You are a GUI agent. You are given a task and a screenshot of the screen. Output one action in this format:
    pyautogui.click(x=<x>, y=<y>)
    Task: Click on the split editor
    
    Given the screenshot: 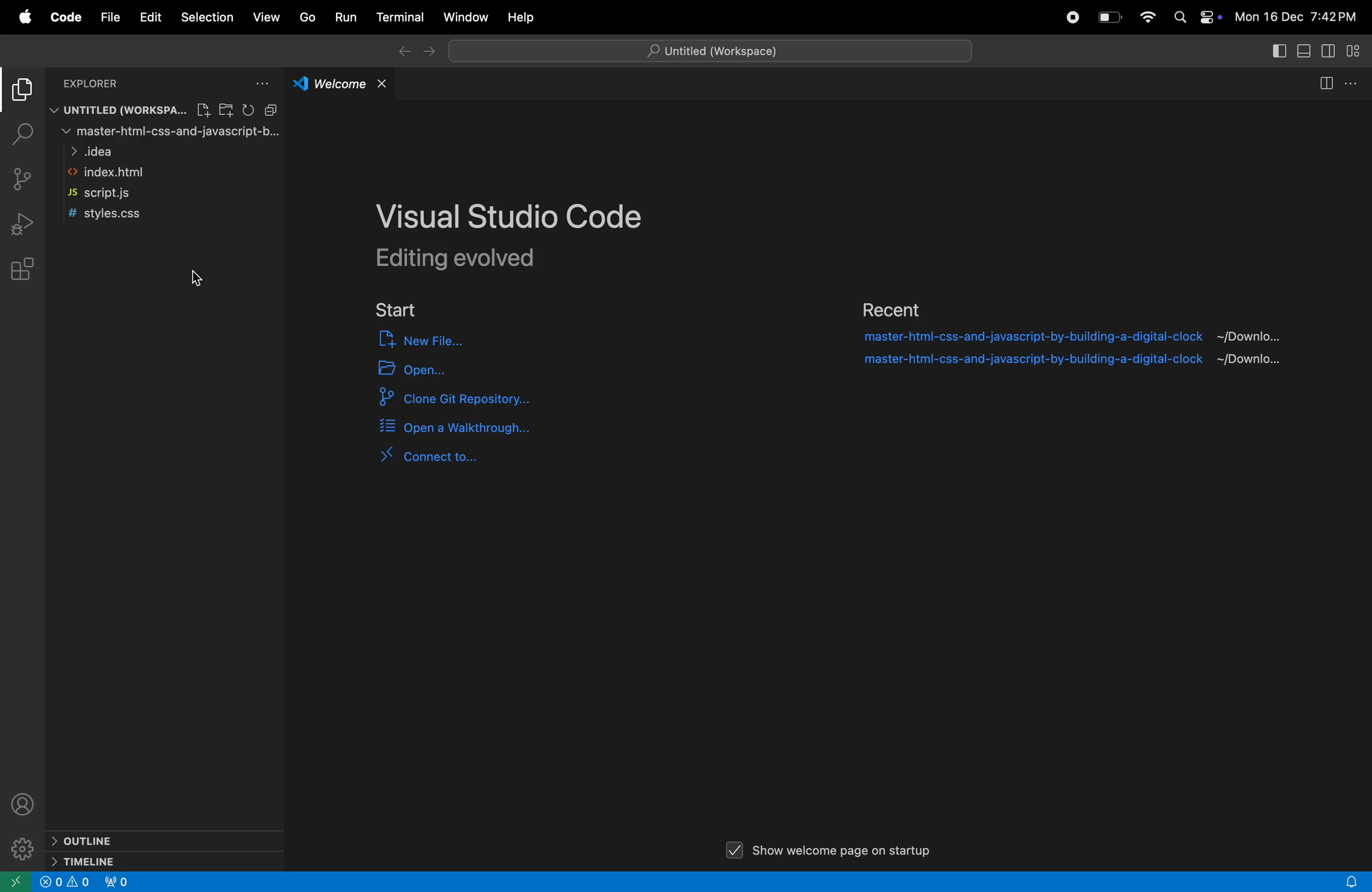 What is the action you would take?
    pyautogui.click(x=1327, y=84)
    